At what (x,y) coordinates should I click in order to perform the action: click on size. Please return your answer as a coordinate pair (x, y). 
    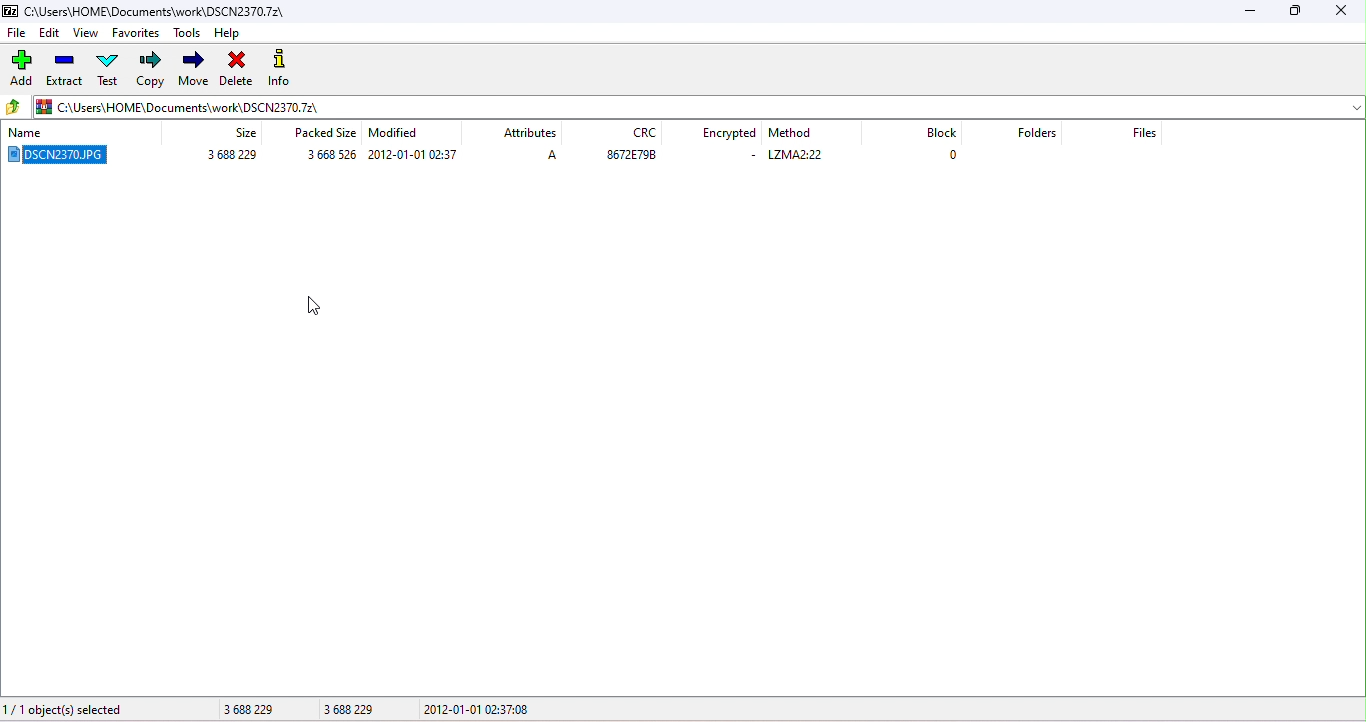
    Looking at the image, I should click on (313, 155).